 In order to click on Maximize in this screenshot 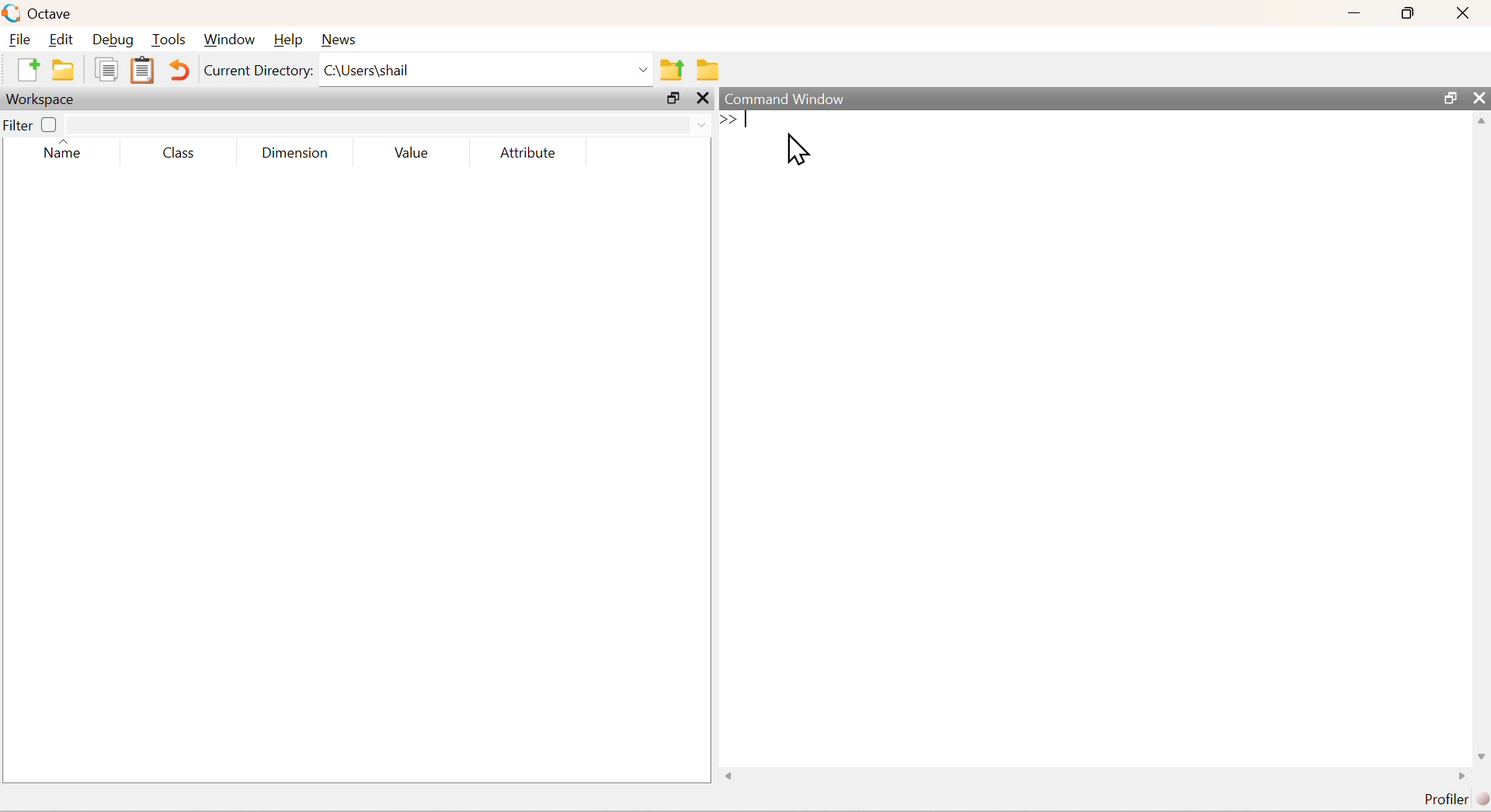, I will do `click(1449, 100)`.